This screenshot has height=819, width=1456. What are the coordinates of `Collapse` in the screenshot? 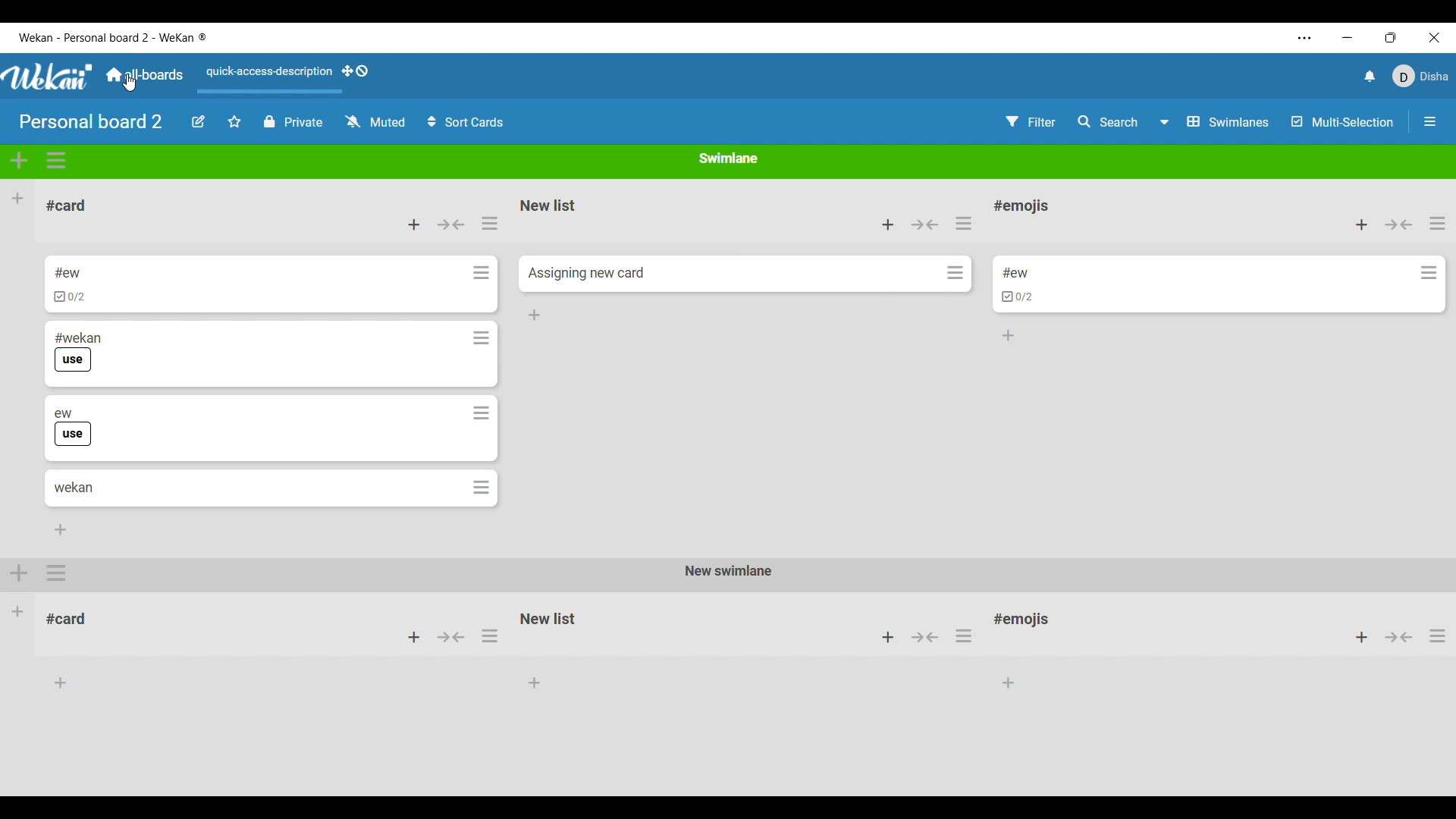 It's located at (925, 224).